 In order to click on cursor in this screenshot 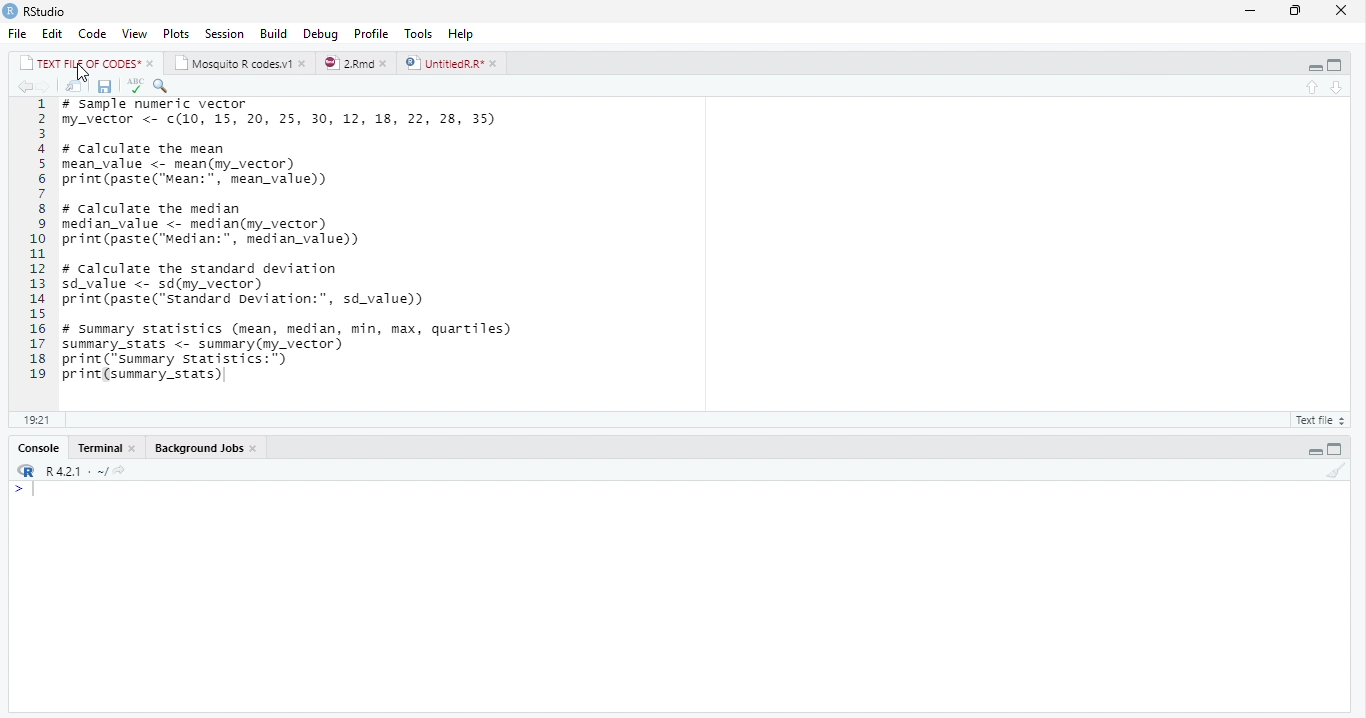, I will do `click(84, 73)`.